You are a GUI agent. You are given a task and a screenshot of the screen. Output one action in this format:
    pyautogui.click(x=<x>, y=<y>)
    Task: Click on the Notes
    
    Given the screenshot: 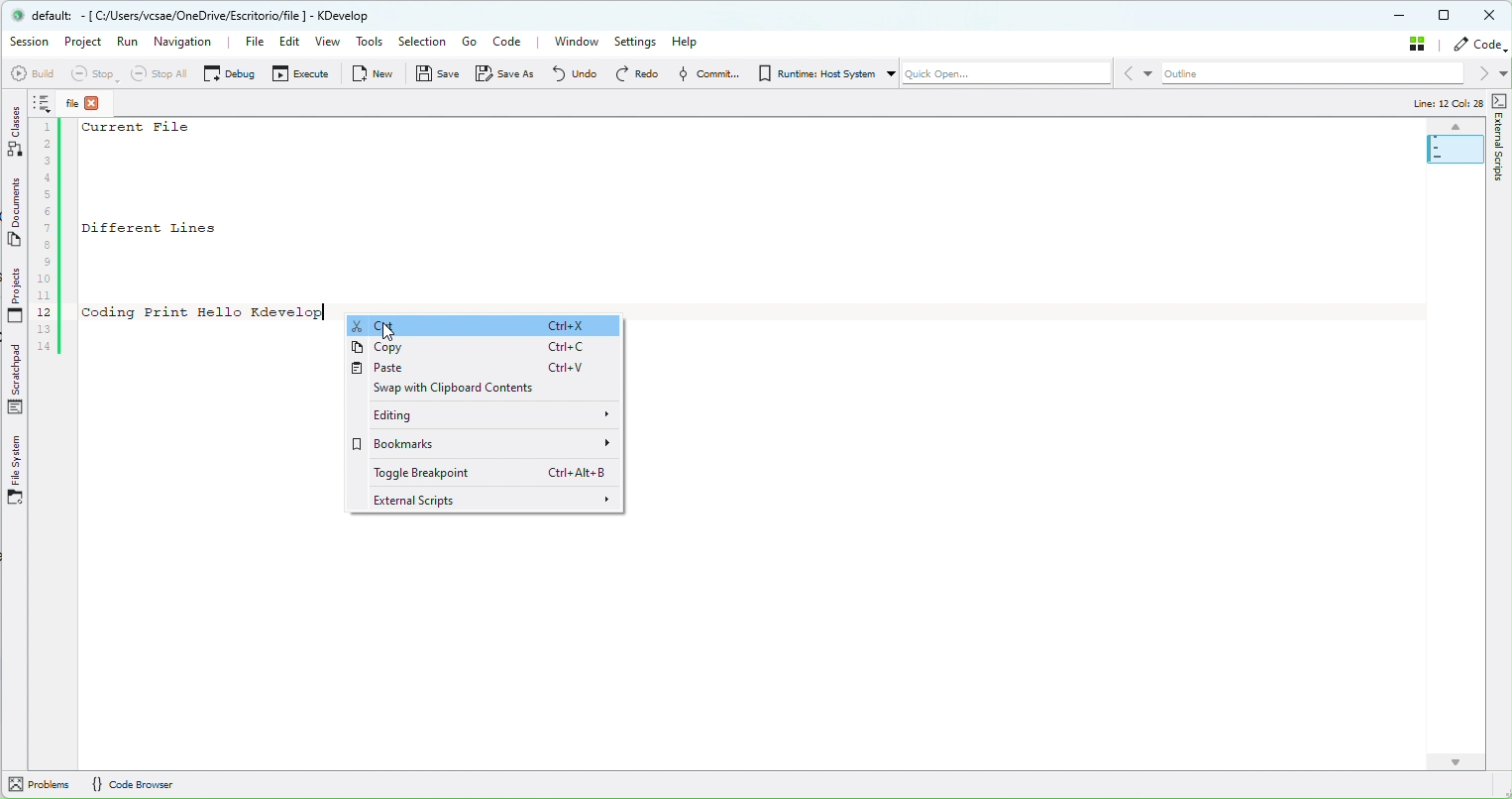 What is the action you would take?
    pyautogui.click(x=44, y=103)
    